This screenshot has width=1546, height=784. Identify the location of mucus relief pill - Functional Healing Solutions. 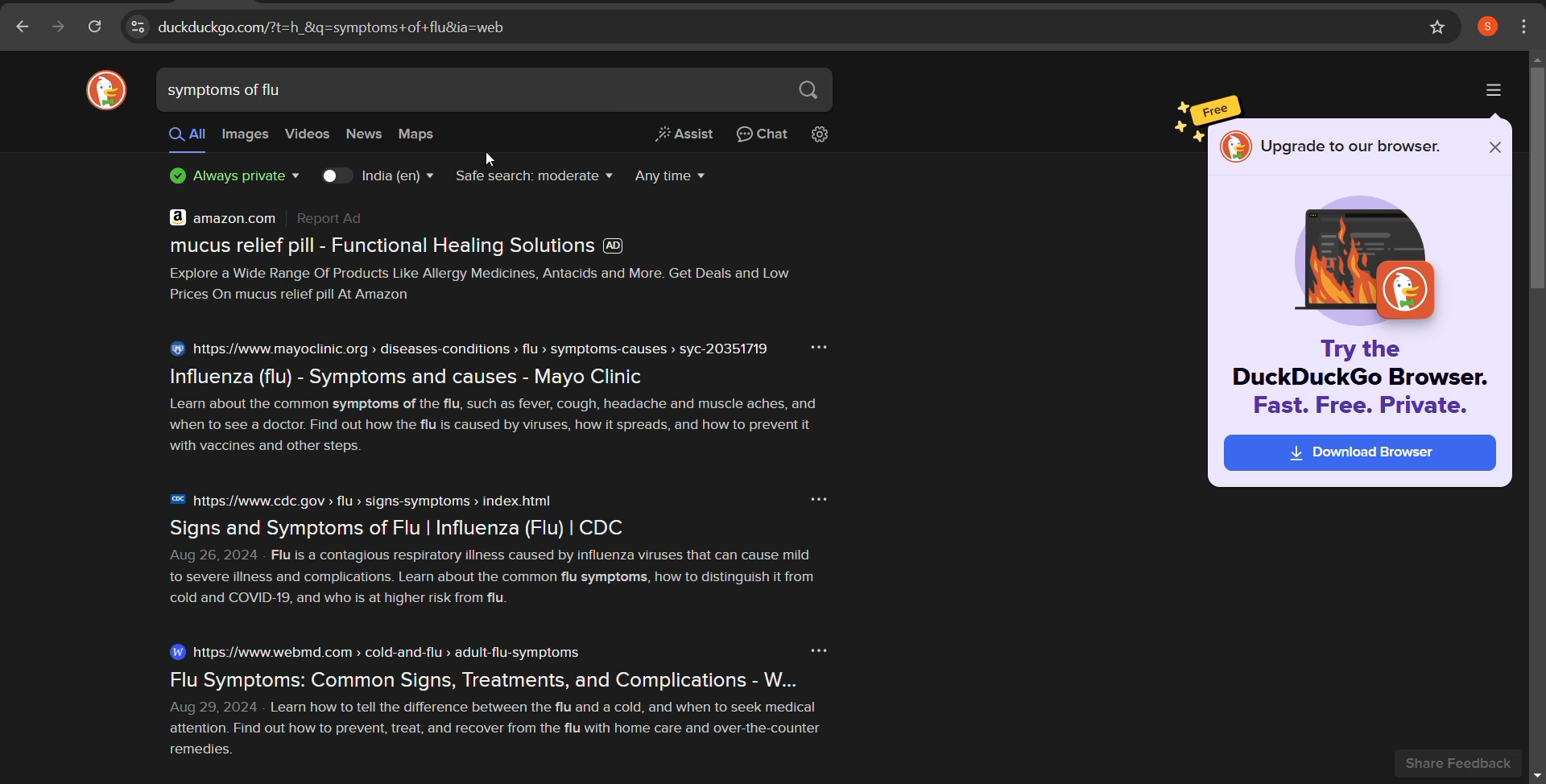
(403, 250).